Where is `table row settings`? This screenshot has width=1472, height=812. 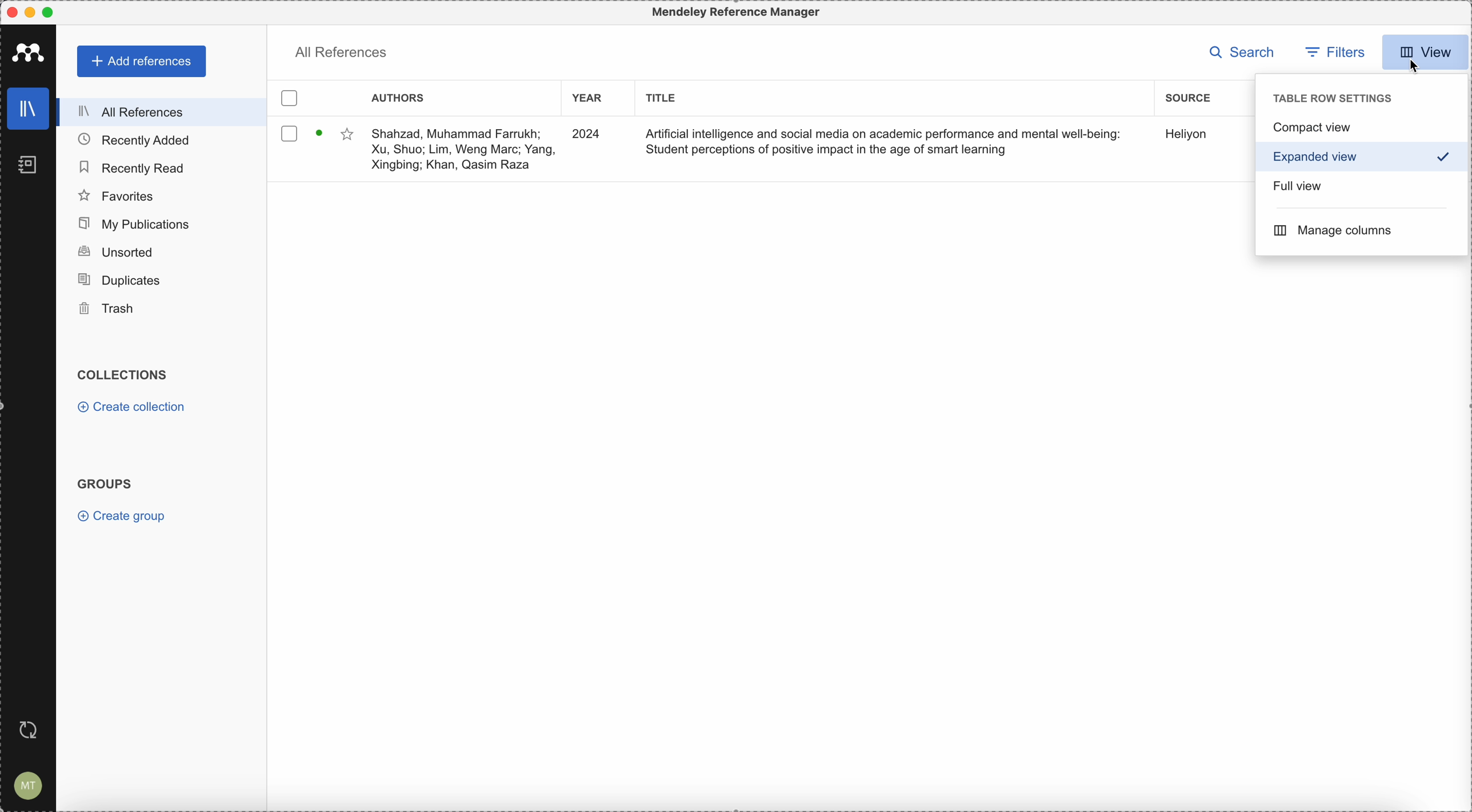 table row settings is located at coordinates (1330, 99).